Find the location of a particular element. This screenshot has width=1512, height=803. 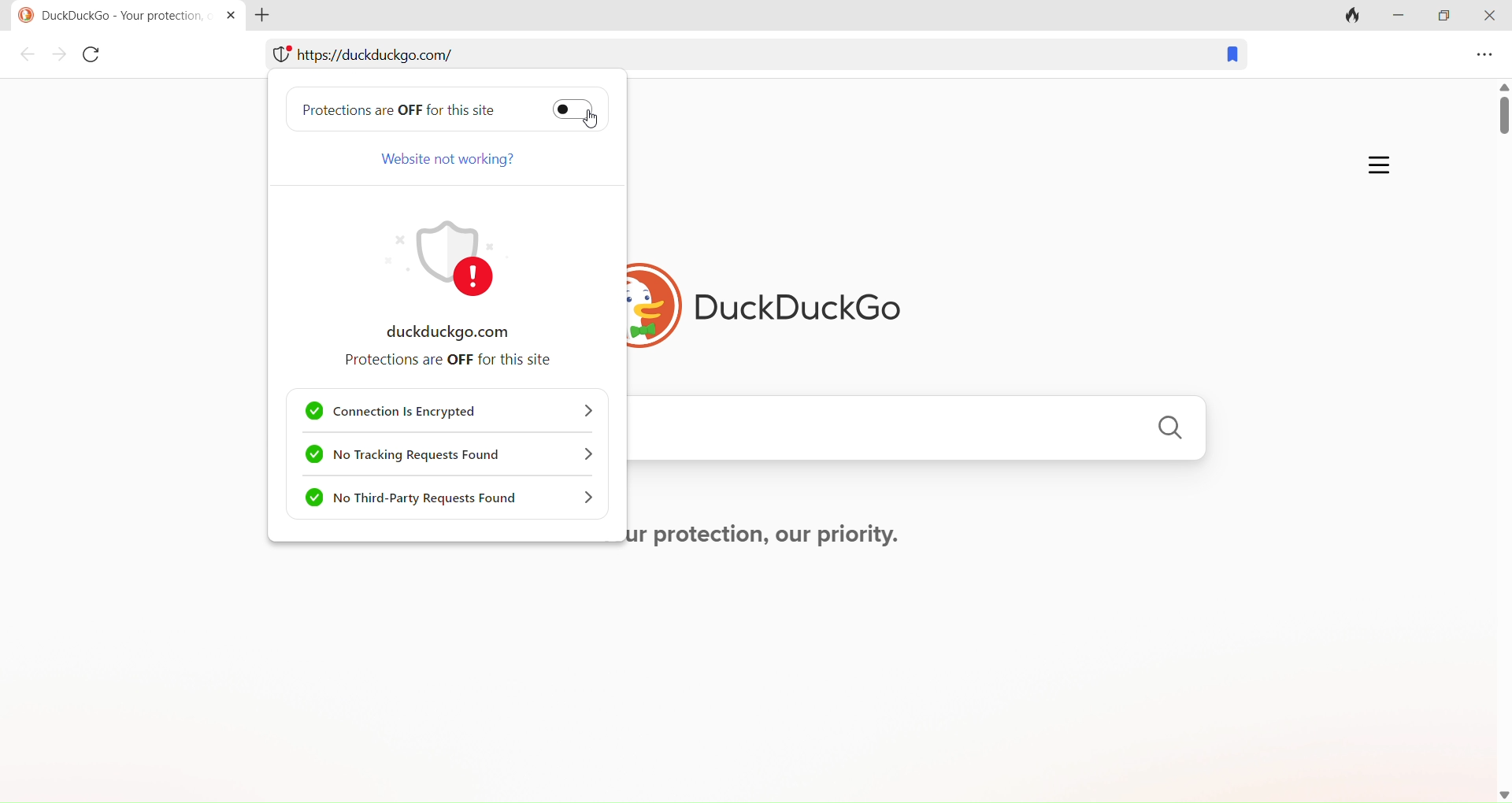

web protection is located at coordinates (276, 58).